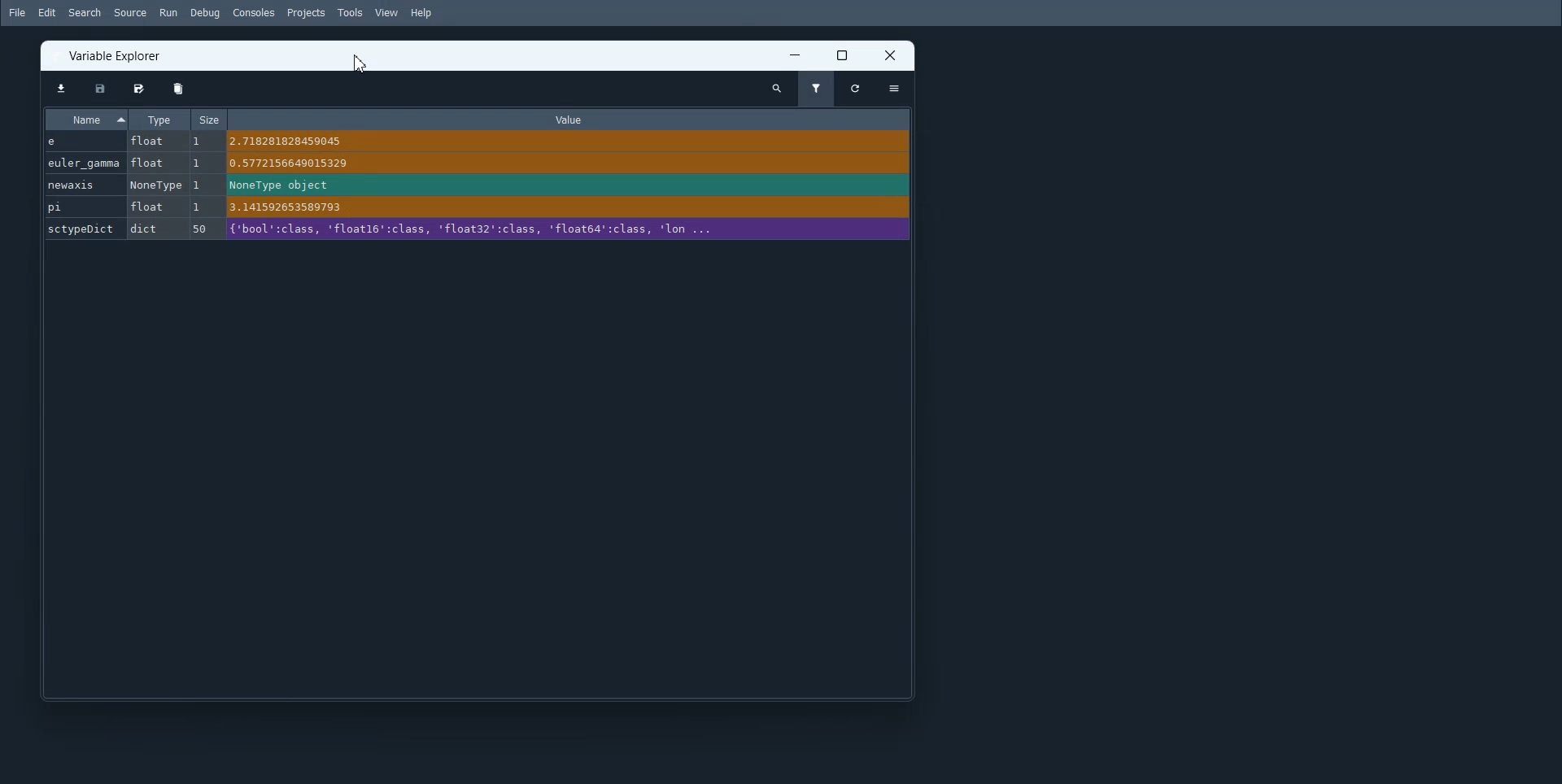  I want to click on Remove all variables, so click(177, 88).